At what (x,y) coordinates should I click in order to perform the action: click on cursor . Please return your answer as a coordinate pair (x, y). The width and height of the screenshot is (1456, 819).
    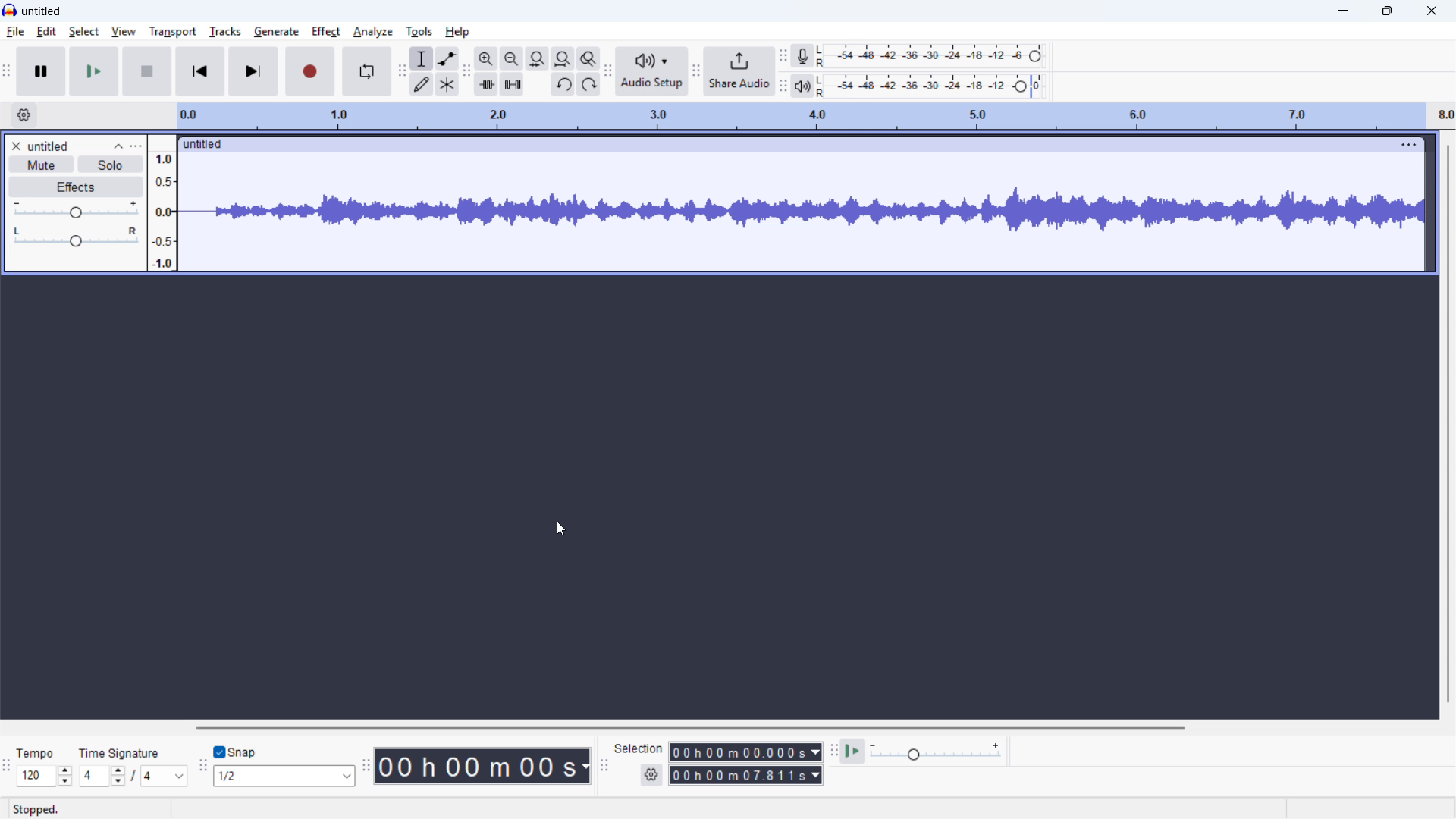
    Looking at the image, I should click on (560, 530).